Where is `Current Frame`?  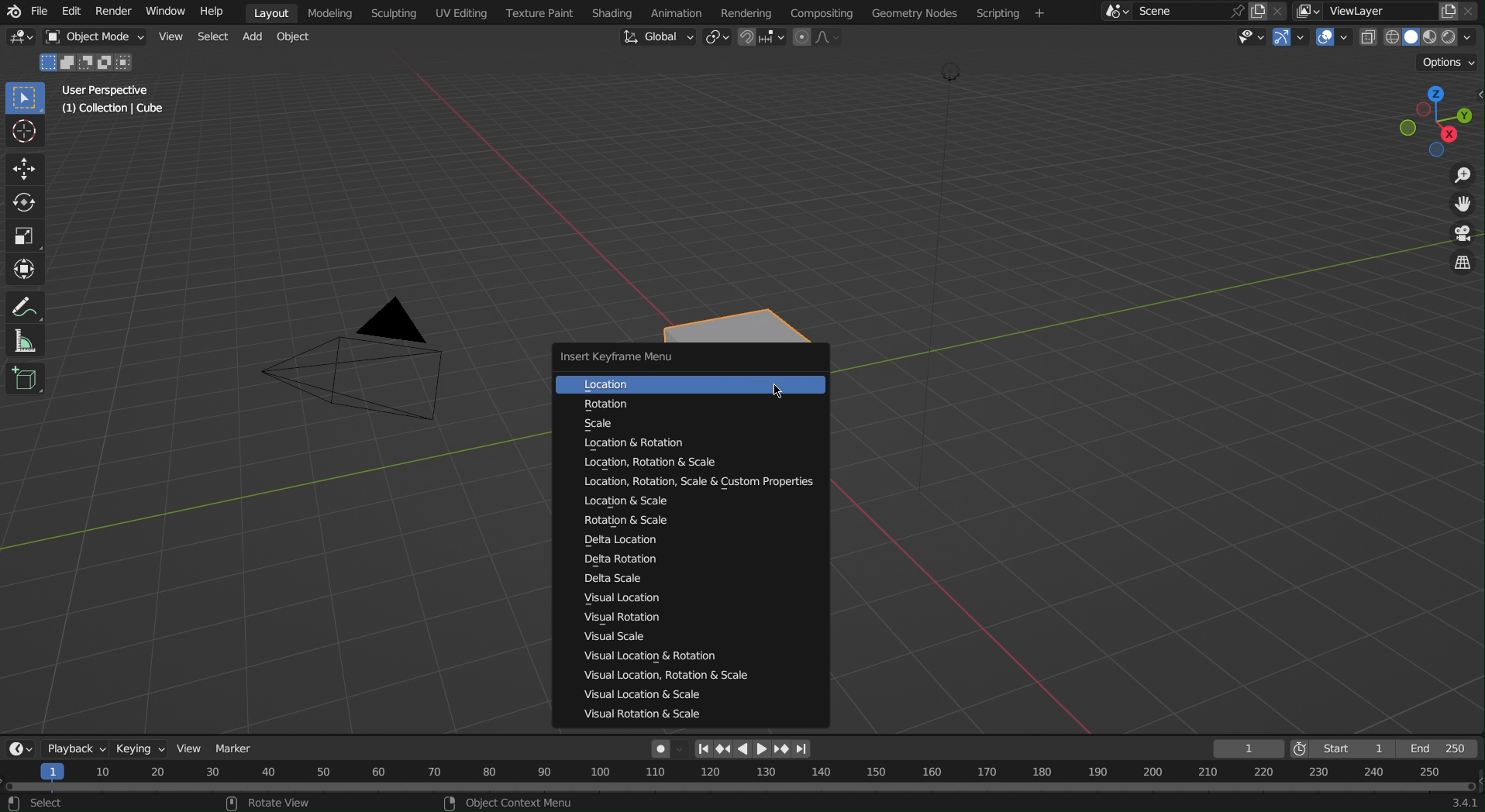
Current Frame is located at coordinates (1247, 748).